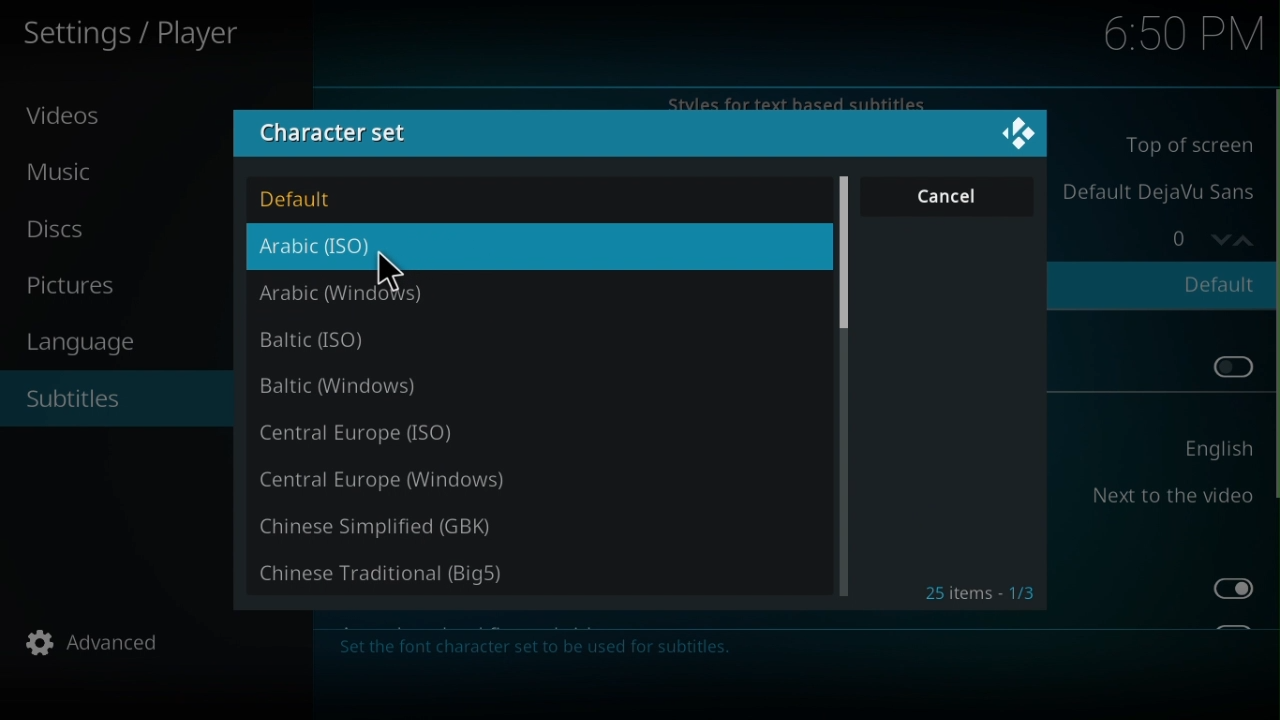 The image size is (1280, 720). Describe the element at coordinates (378, 524) in the screenshot. I see `Chinese simplified (GBK)` at that location.